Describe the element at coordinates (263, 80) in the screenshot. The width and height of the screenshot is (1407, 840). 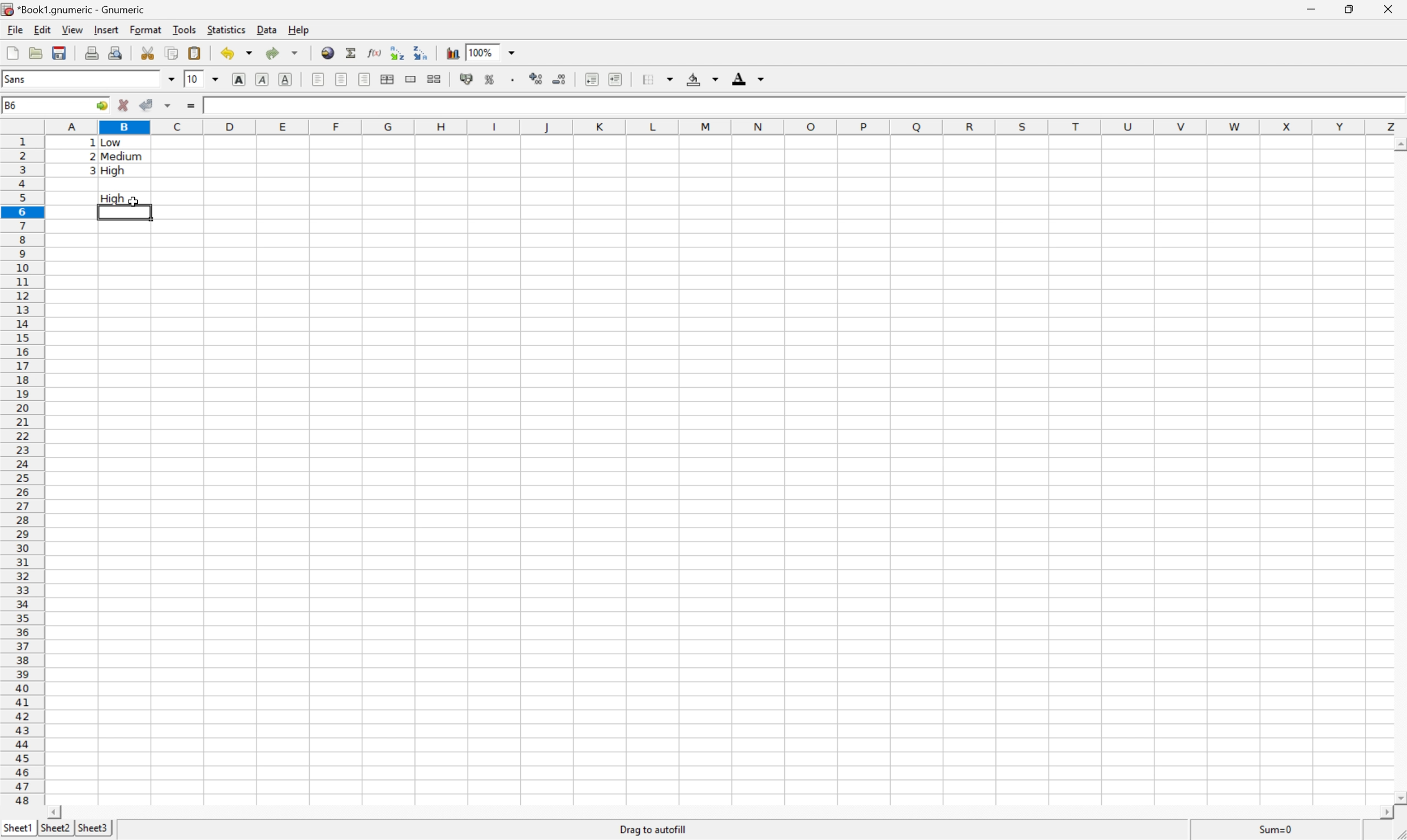
I see `Italic` at that location.